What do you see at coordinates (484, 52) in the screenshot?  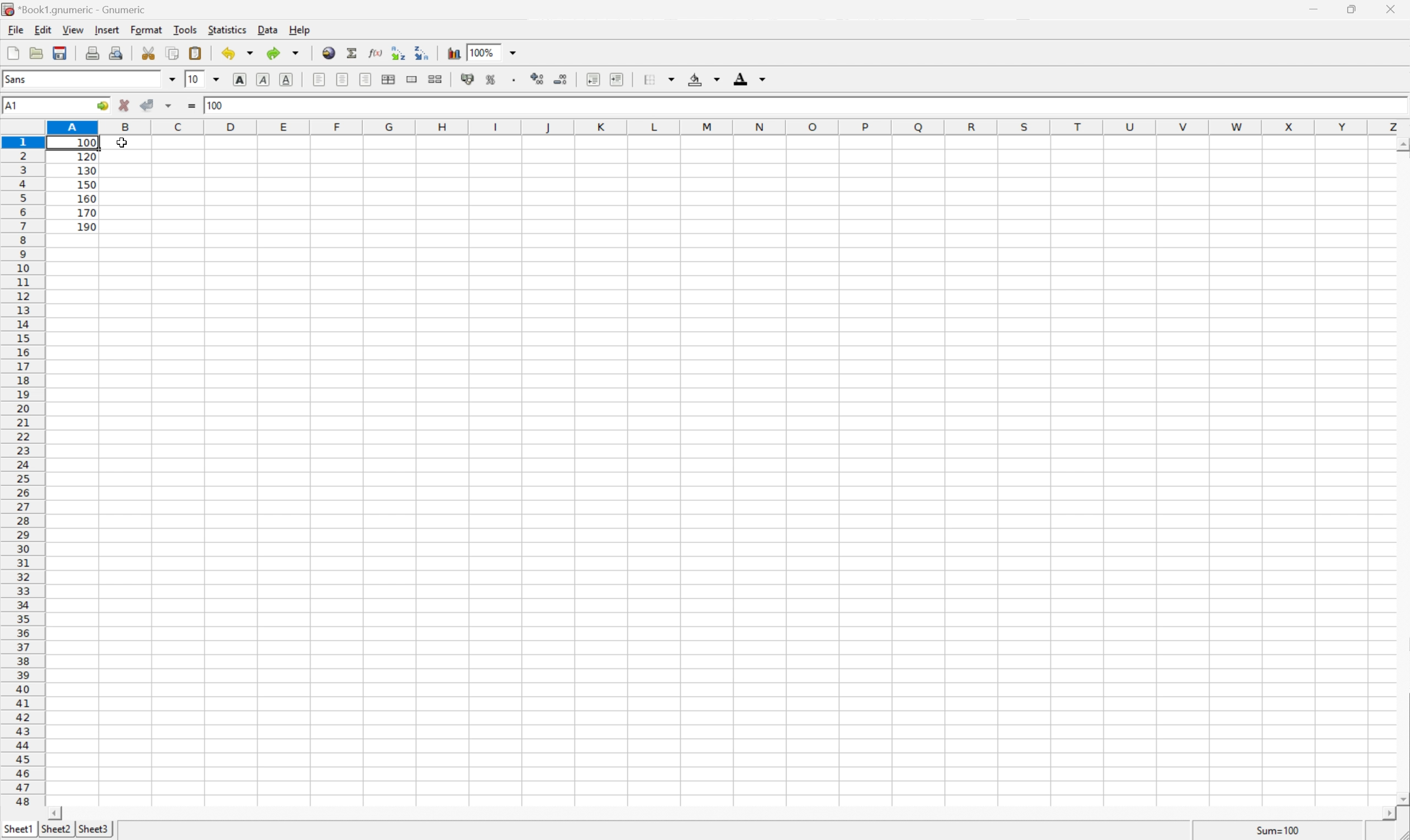 I see `100%` at bounding box center [484, 52].